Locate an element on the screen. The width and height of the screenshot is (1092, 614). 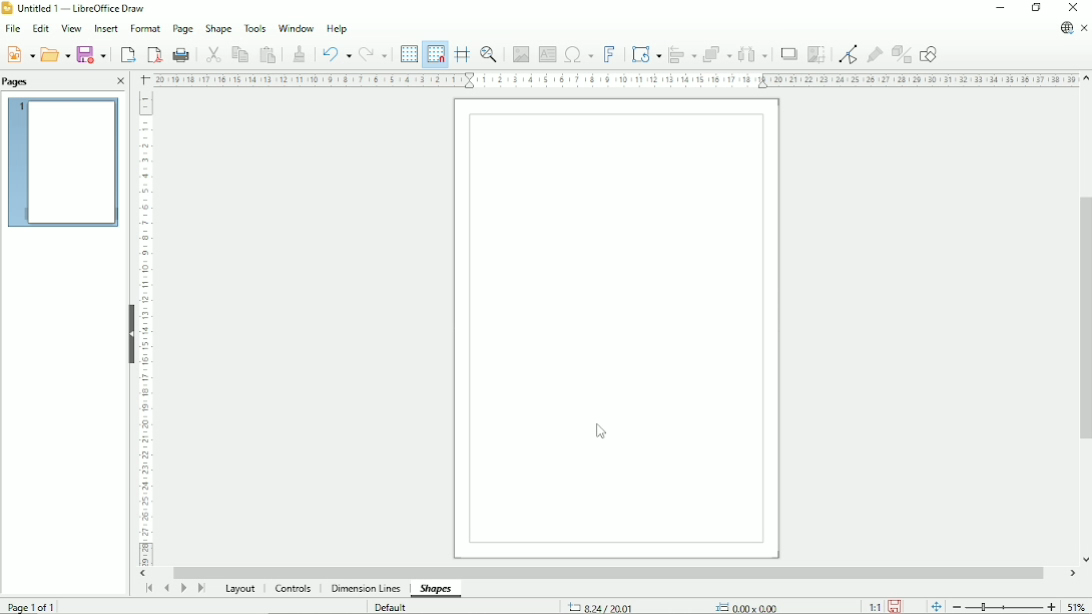
Print is located at coordinates (181, 54).